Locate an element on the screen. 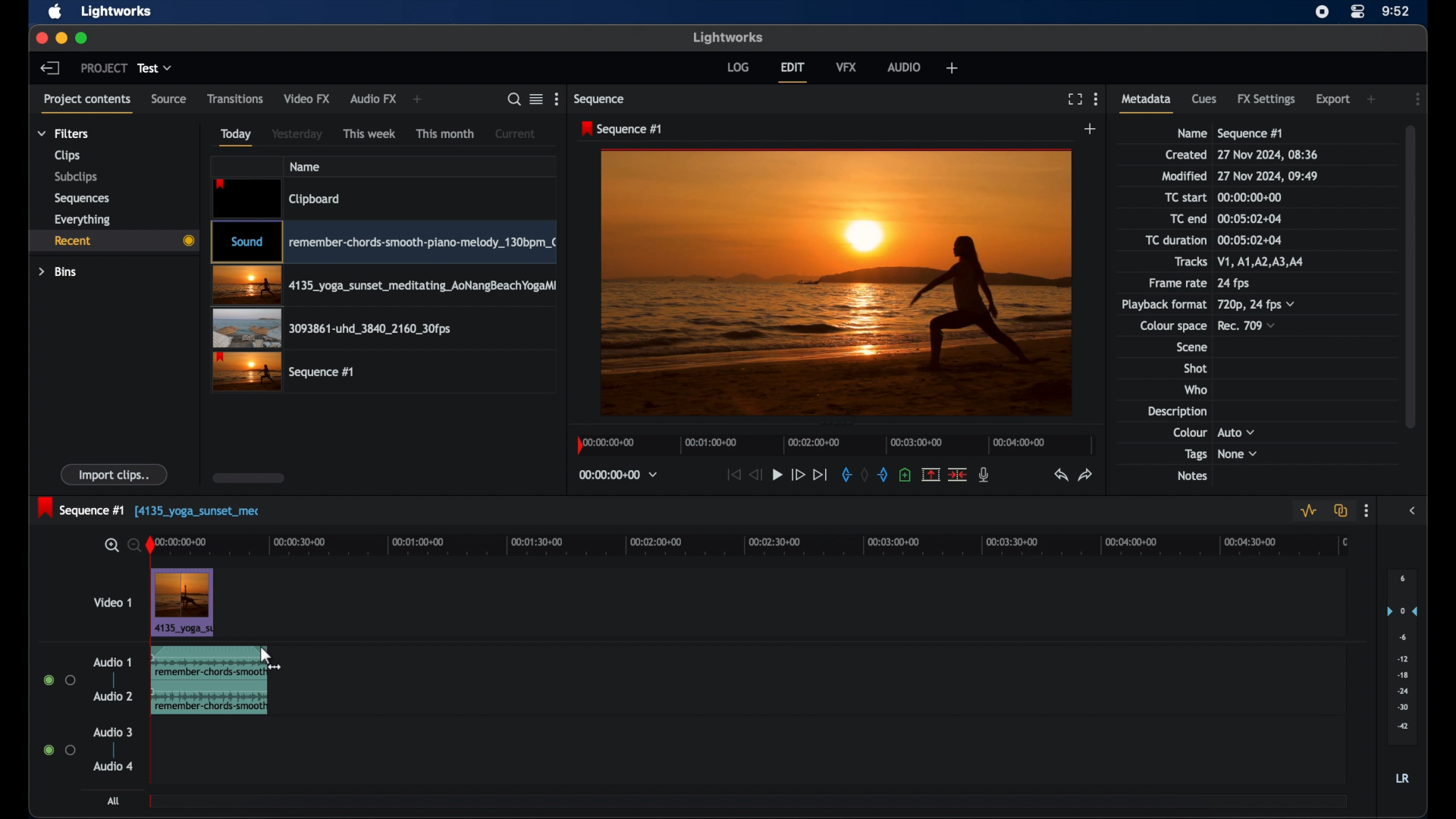 This screenshot has width=1456, height=819. sequence 1 is located at coordinates (1250, 133).